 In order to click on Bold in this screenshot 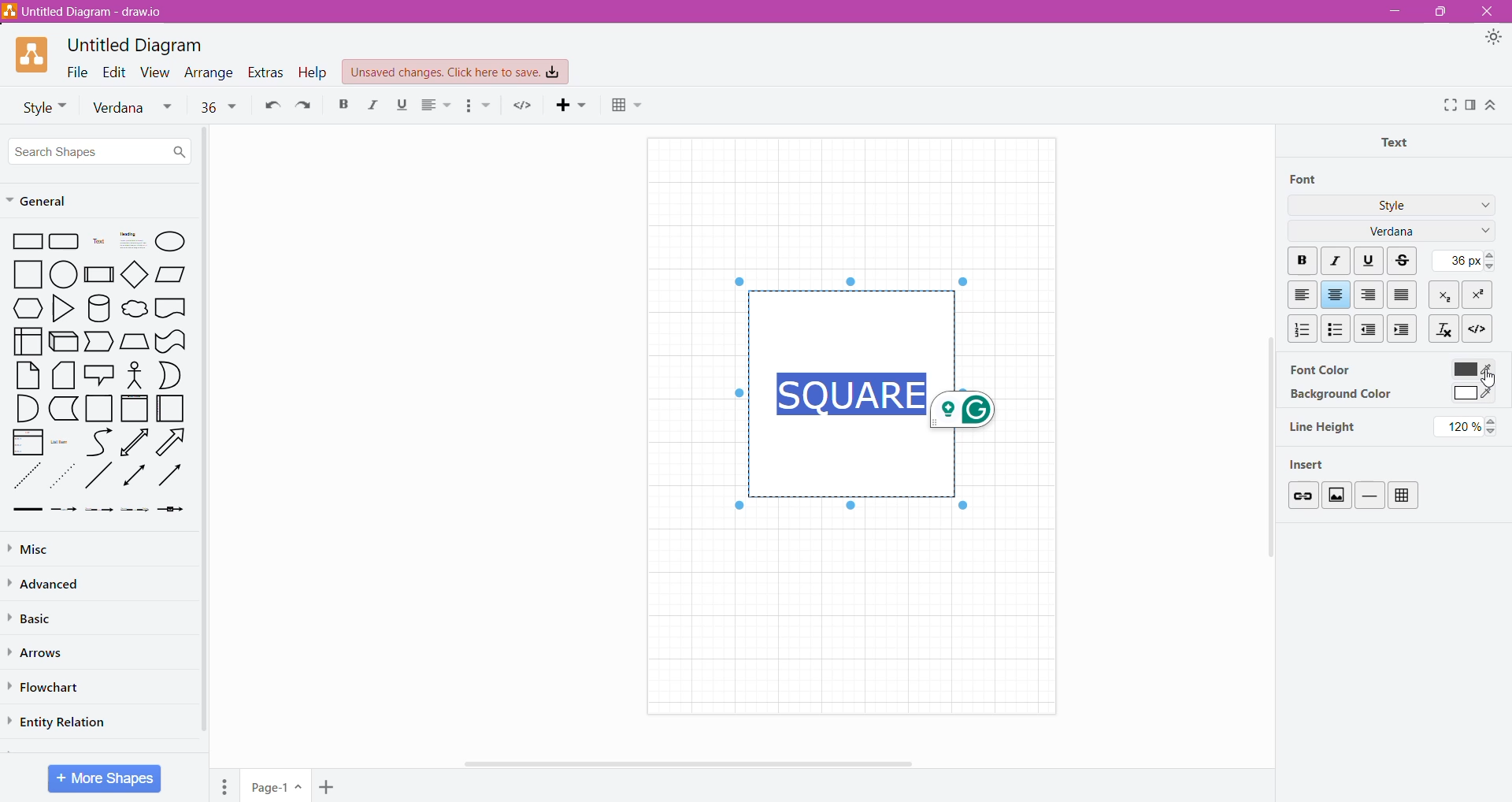, I will do `click(343, 103)`.